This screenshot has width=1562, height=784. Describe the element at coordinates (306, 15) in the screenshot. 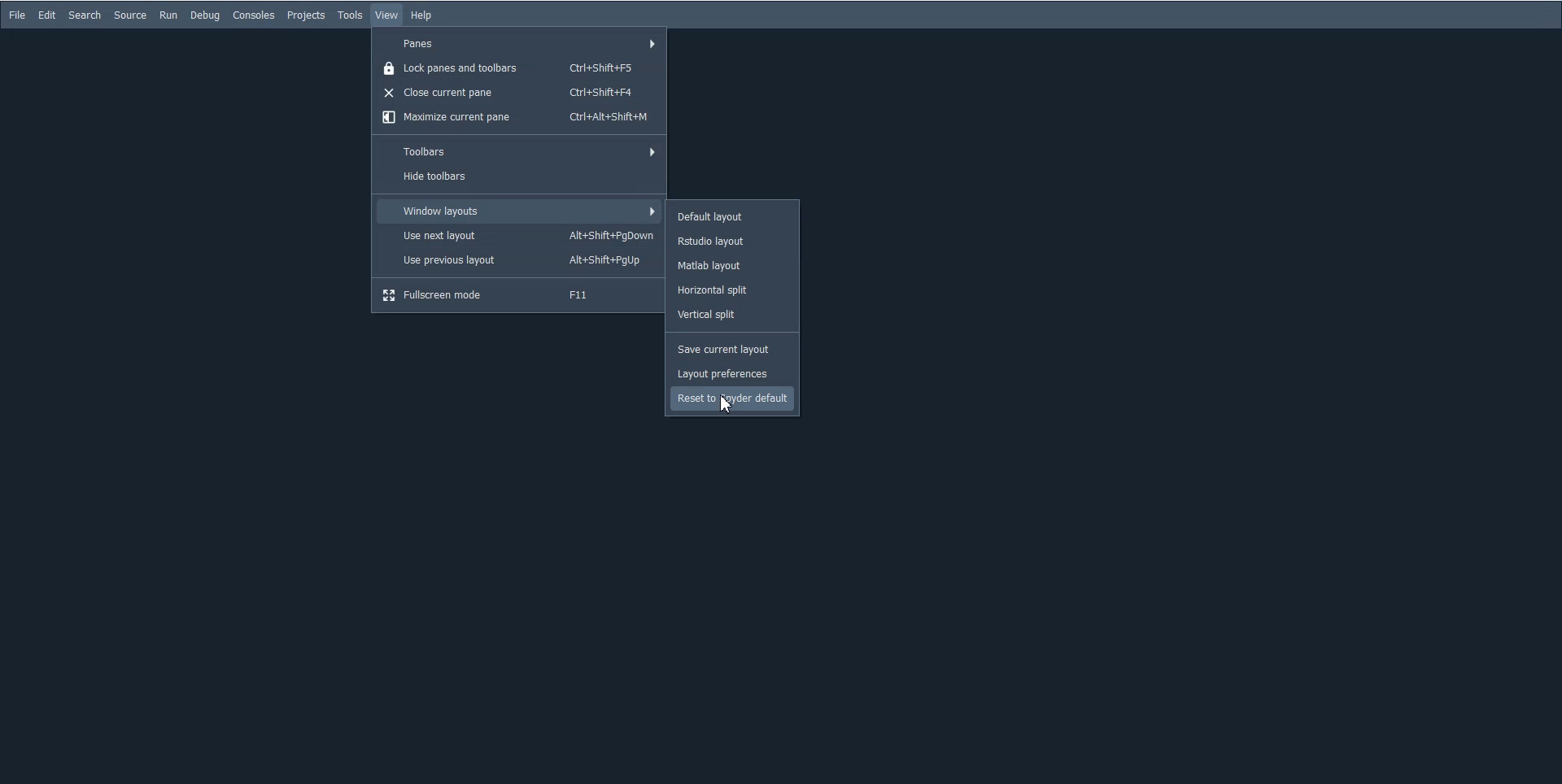

I see `Projects` at that location.